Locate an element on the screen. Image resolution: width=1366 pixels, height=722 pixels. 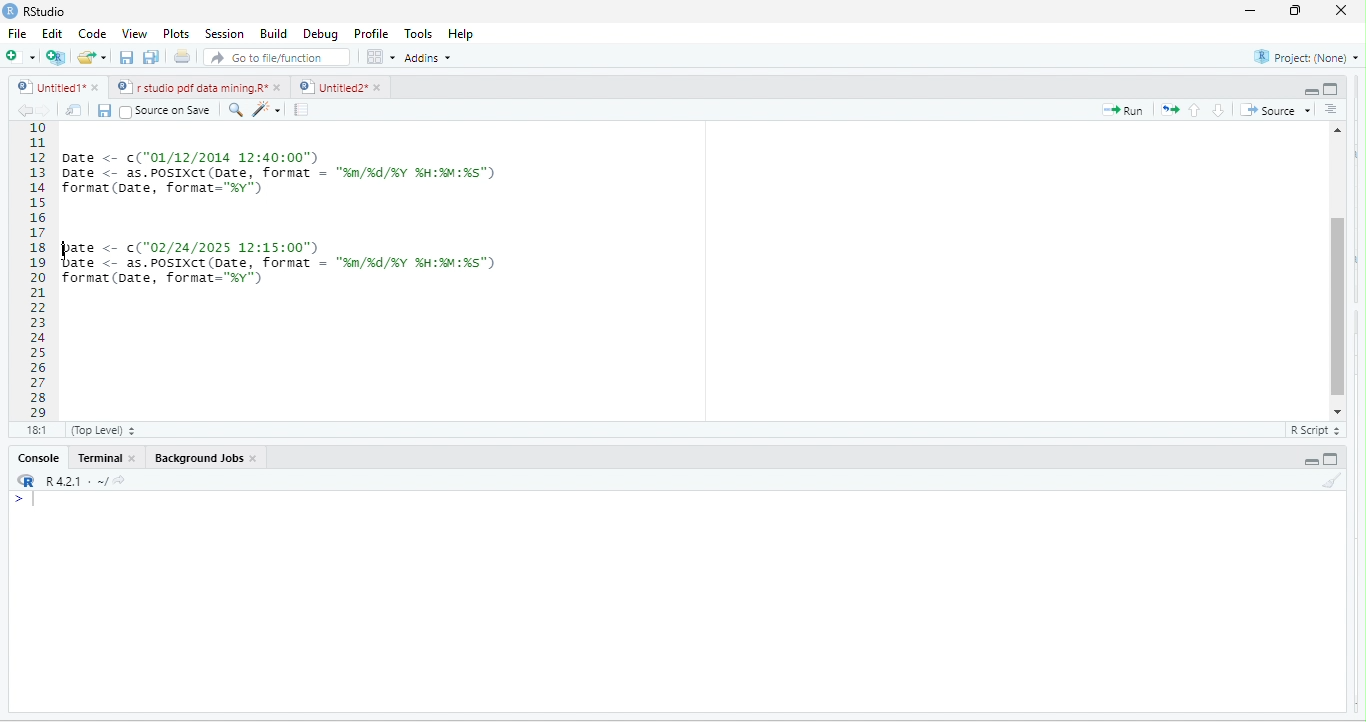
scroll down is located at coordinates (1337, 411).